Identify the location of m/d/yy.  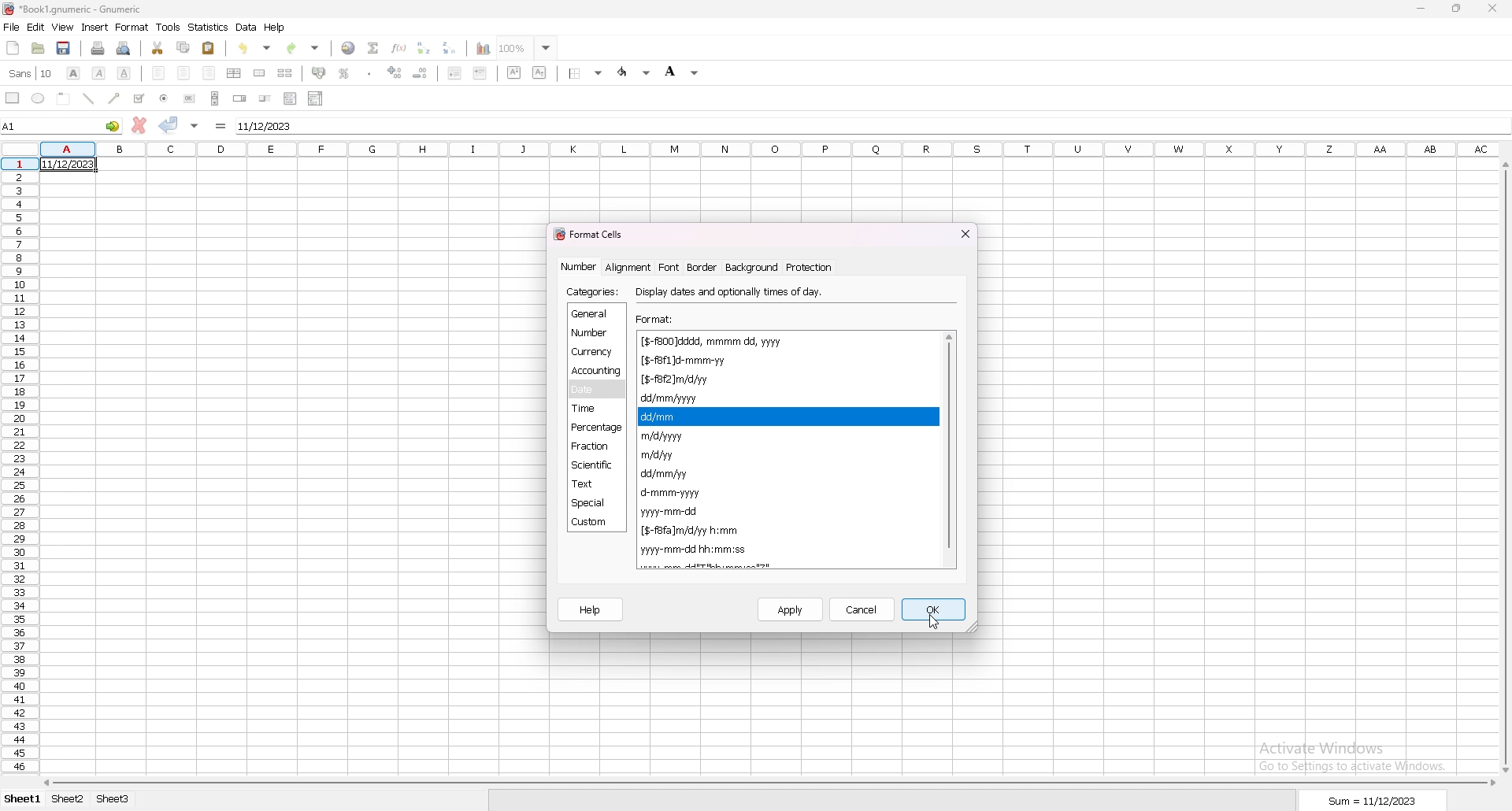
(660, 455).